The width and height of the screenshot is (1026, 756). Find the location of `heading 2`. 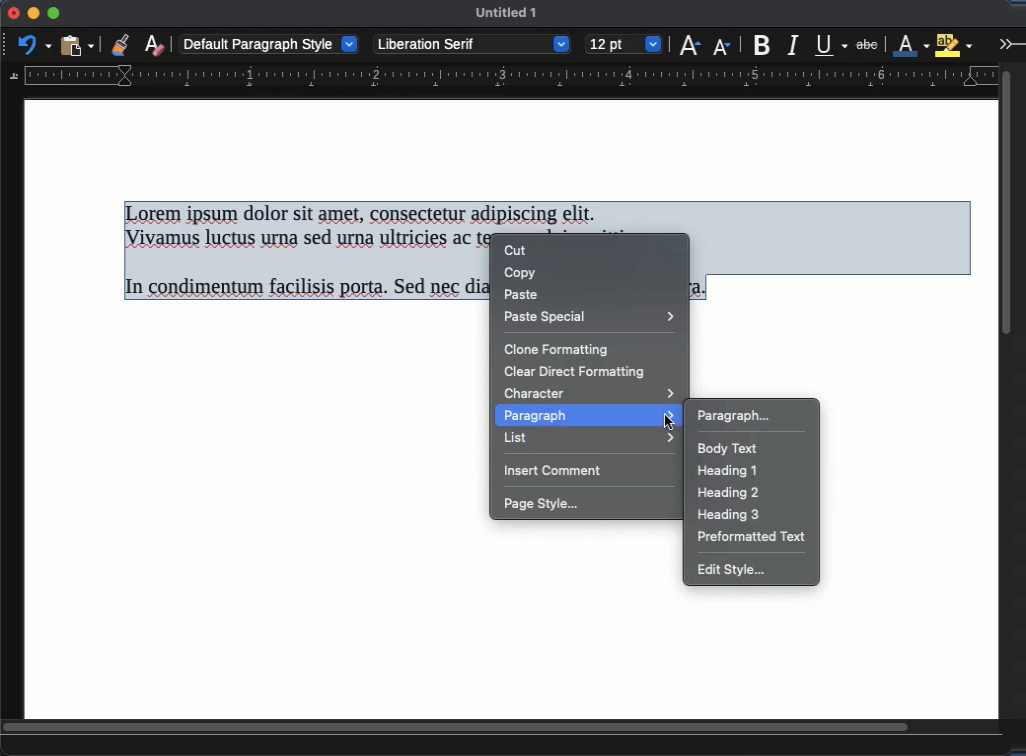

heading 2 is located at coordinates (728, 494).